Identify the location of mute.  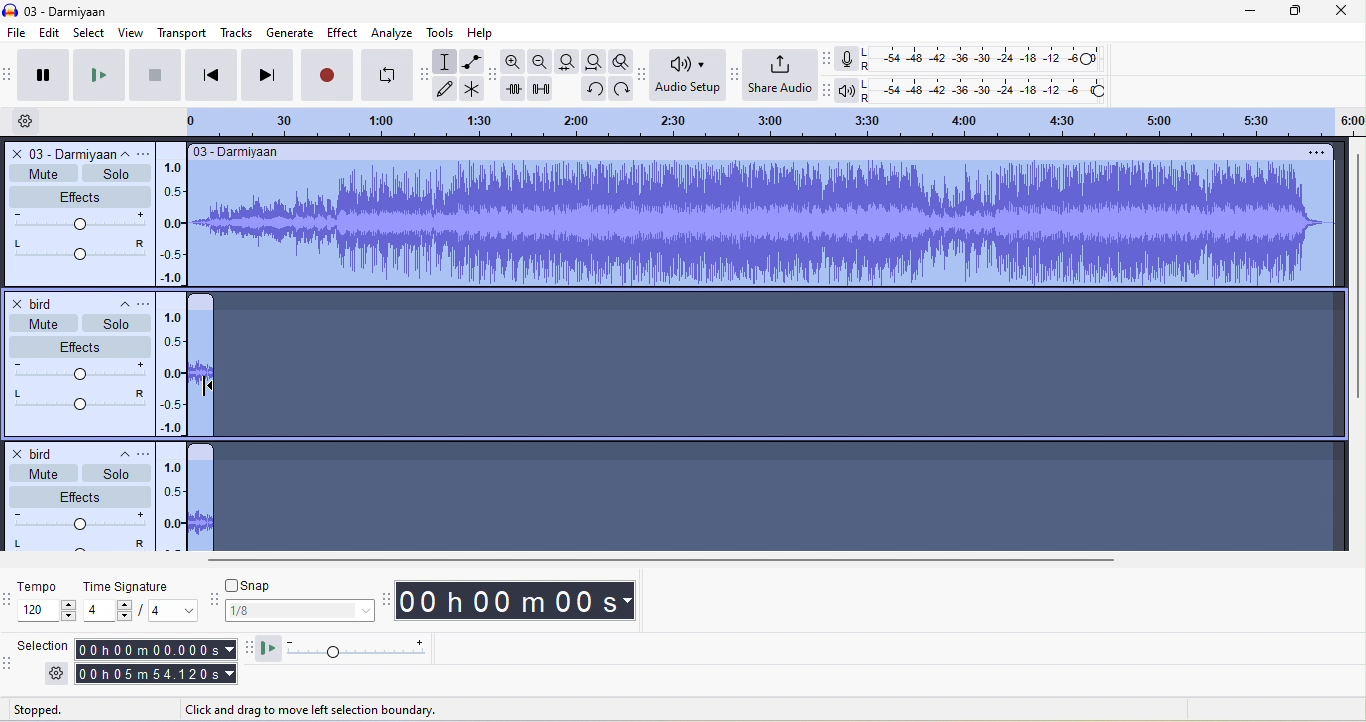
(43, 175).